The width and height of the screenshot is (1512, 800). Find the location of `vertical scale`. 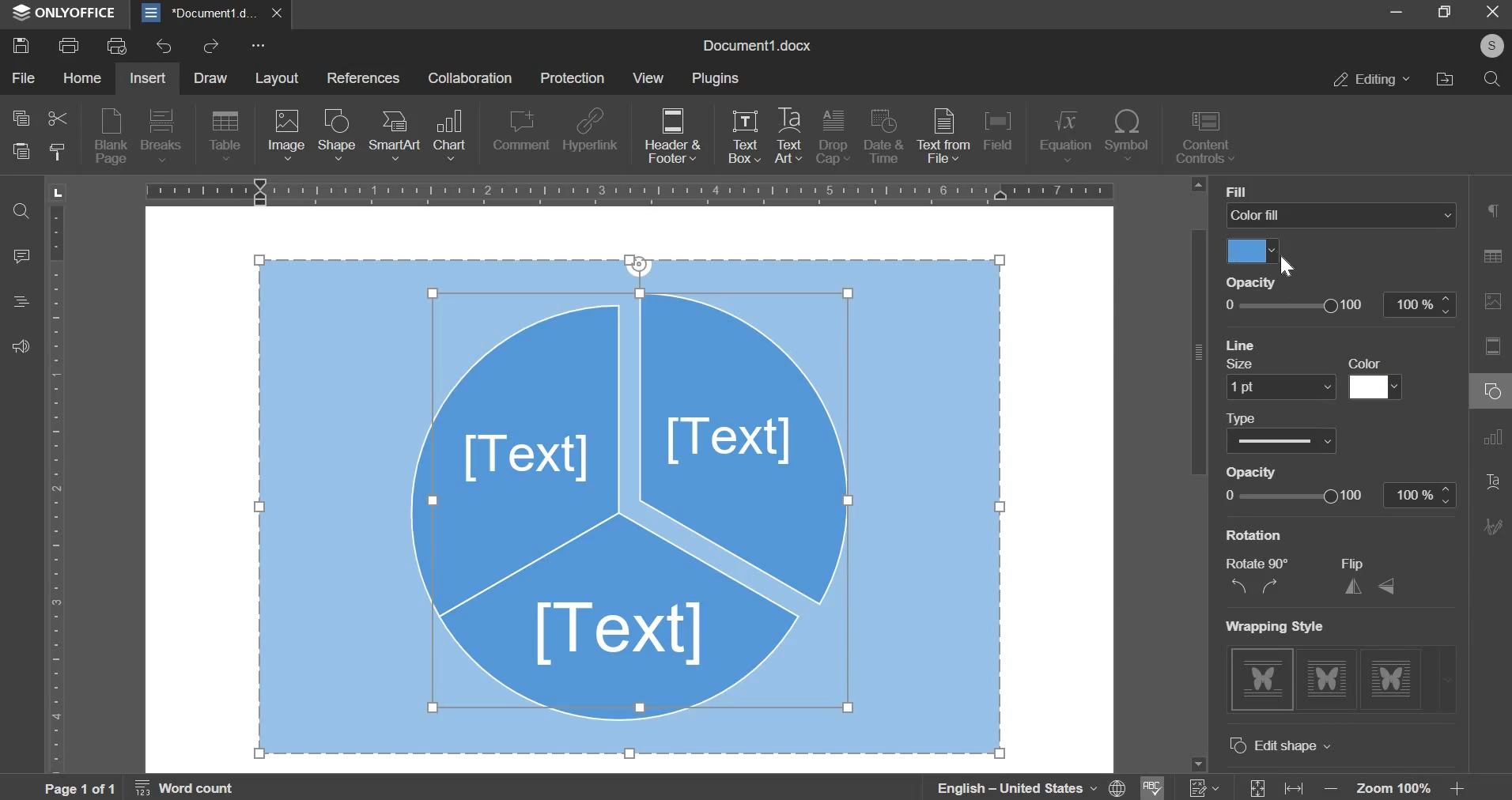

vertical scale is located at coordinates (57, 483).